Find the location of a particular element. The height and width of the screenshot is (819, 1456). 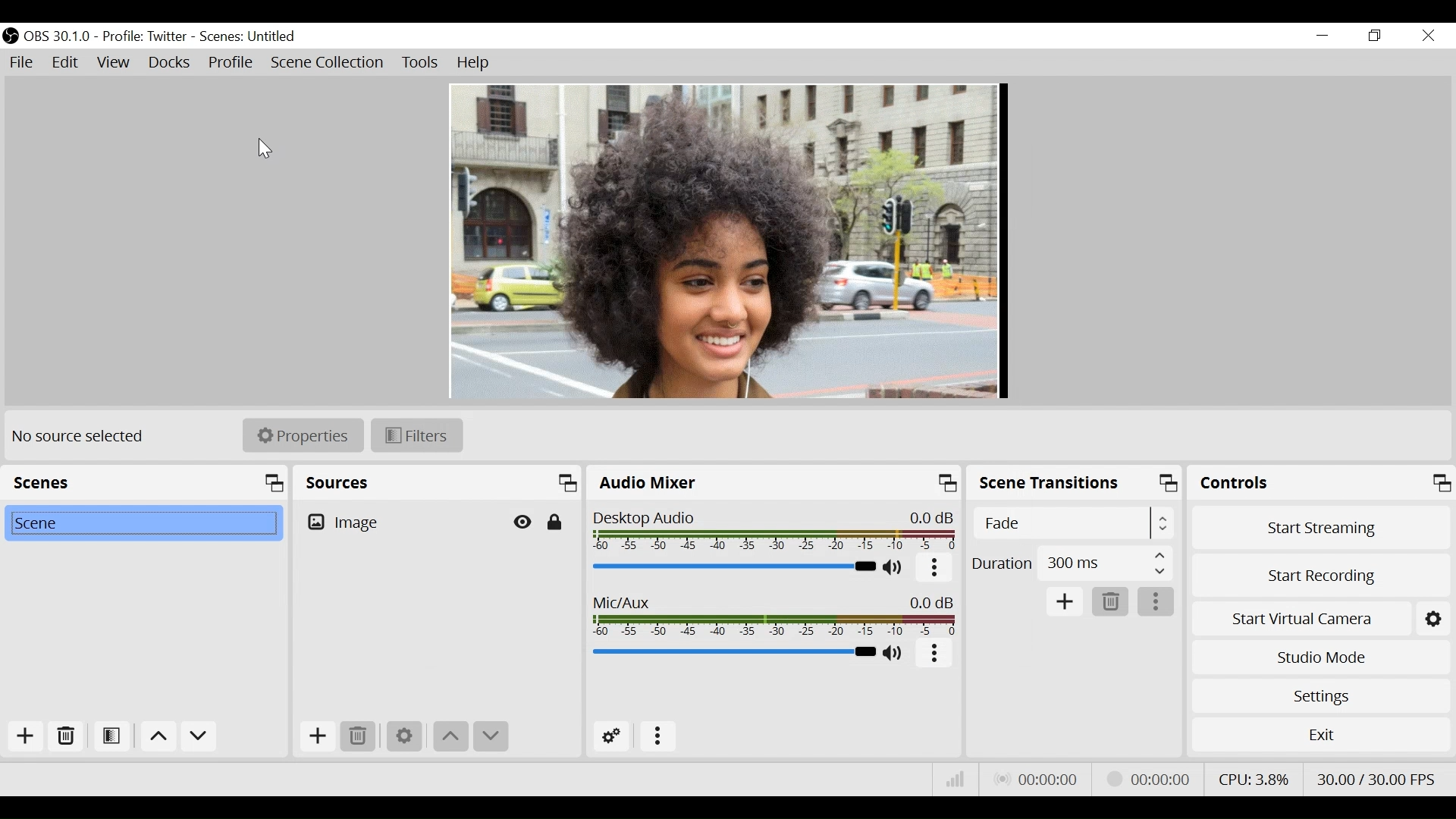

more options is located at coordinates (934, 655).